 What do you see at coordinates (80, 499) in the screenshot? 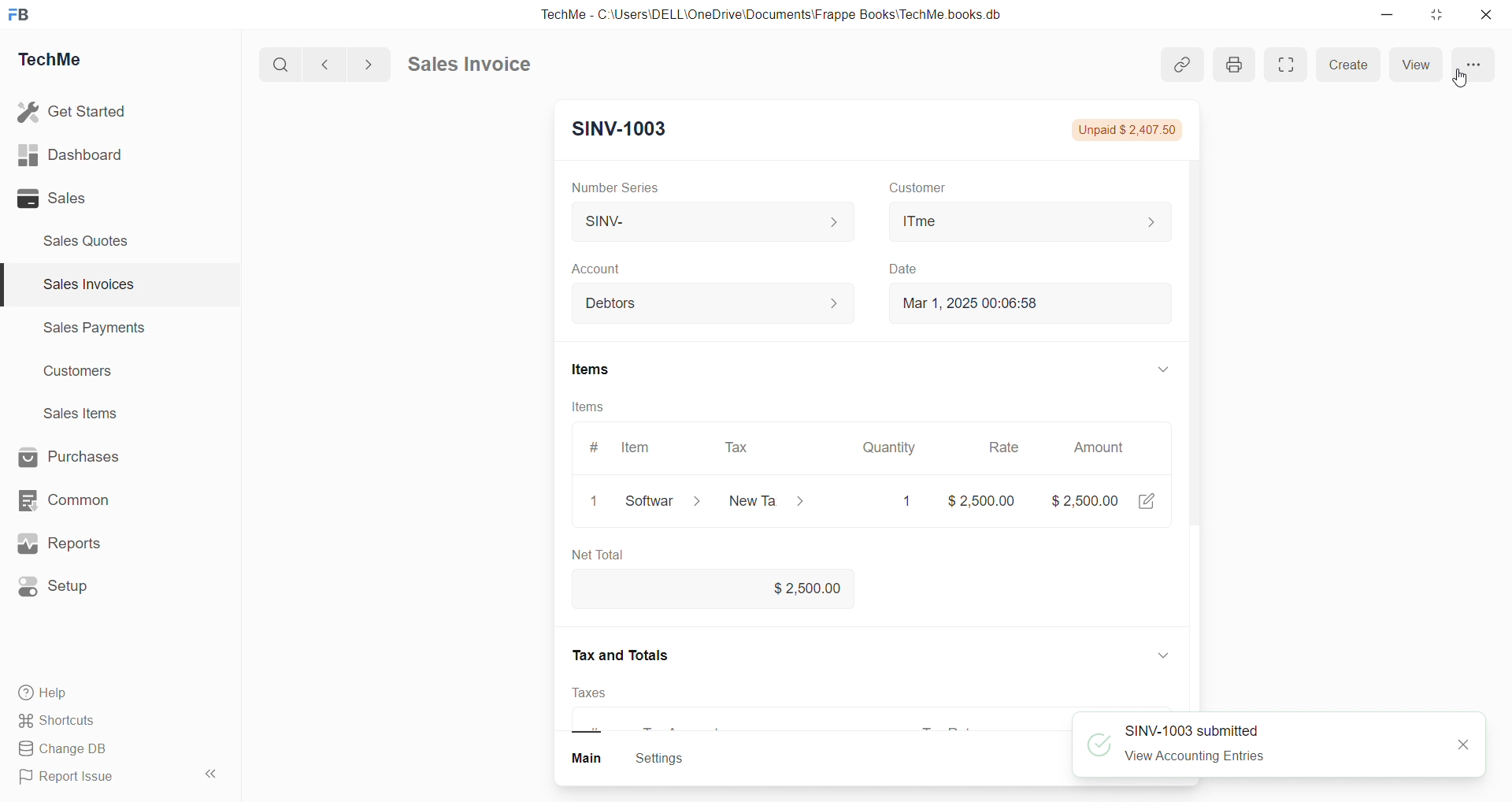
I see `EB Common` at bounding box center [80, 499].